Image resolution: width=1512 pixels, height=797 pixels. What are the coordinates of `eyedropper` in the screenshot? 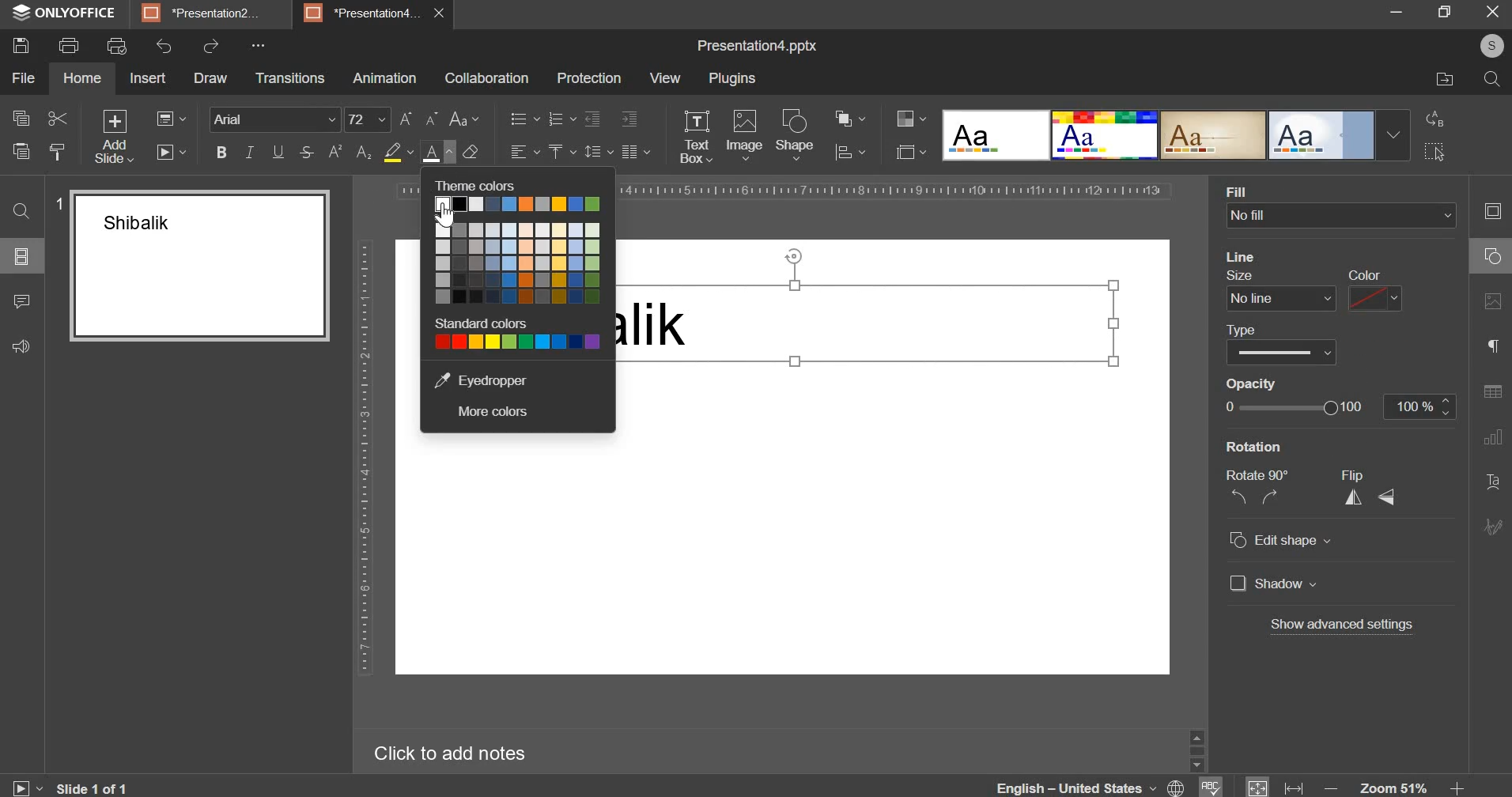 It's located at (479, 380).